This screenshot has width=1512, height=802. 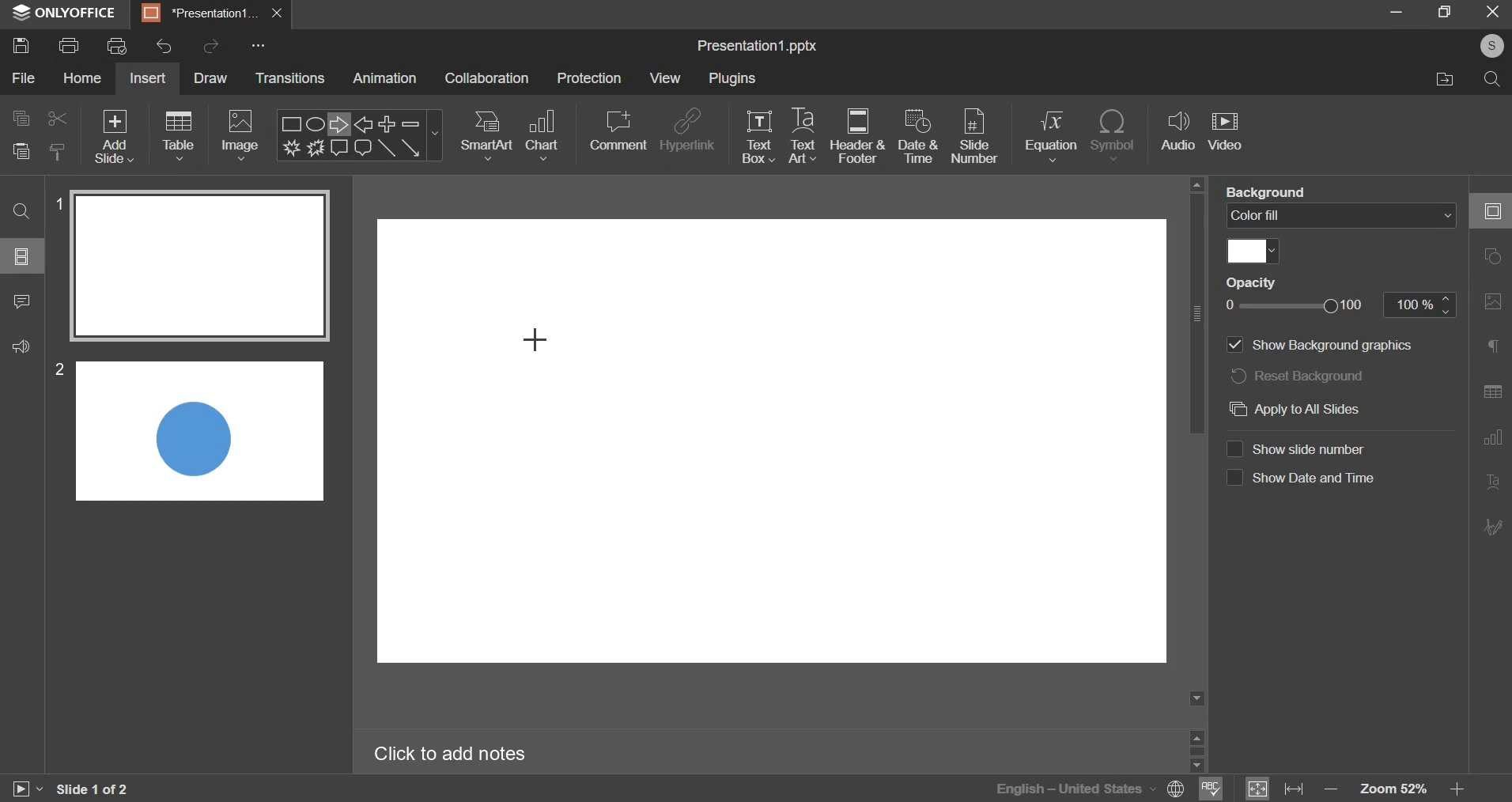 I want to click on paste, so click(x=22, y=150).